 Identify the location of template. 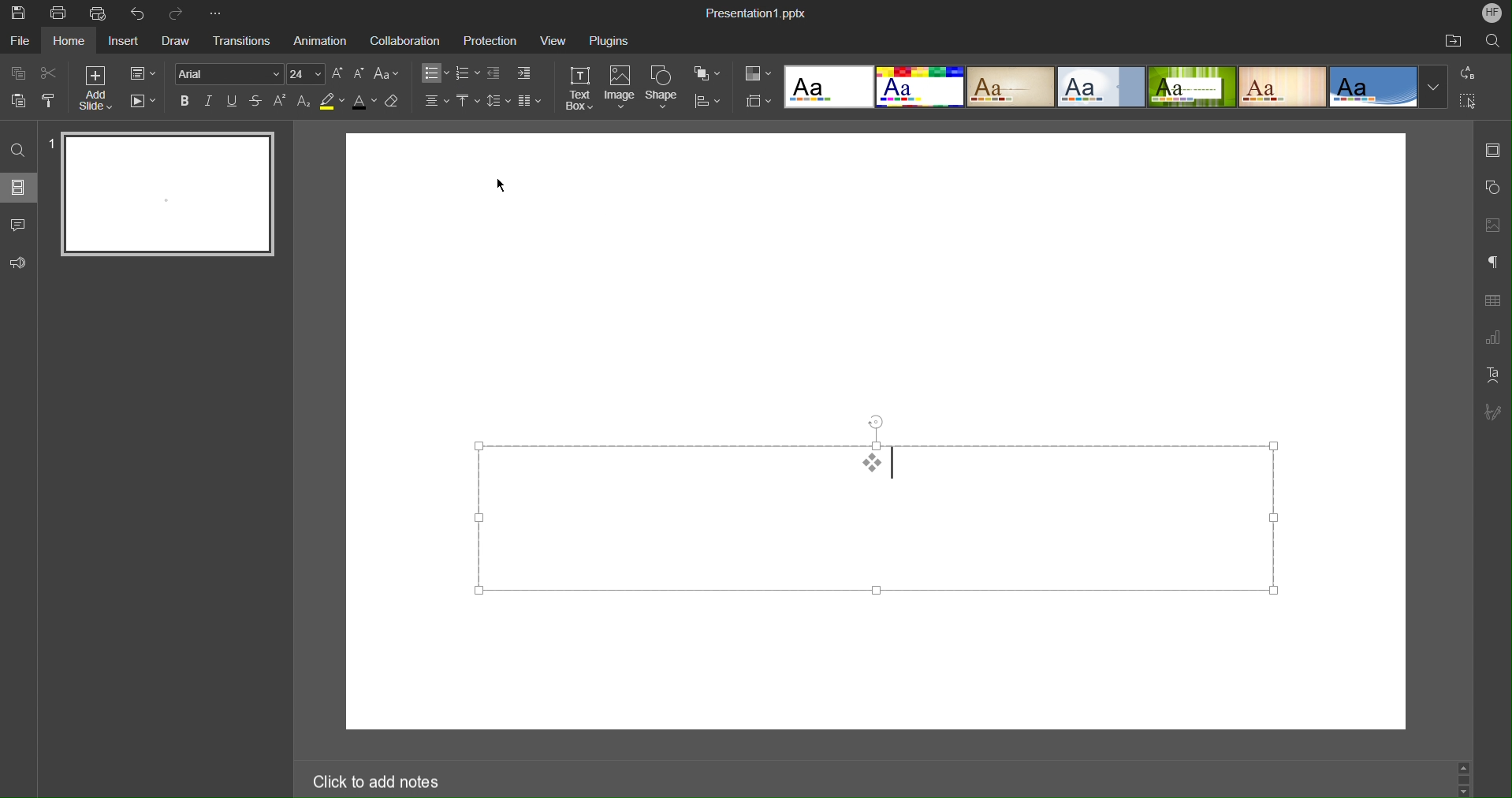
(1282, 87).